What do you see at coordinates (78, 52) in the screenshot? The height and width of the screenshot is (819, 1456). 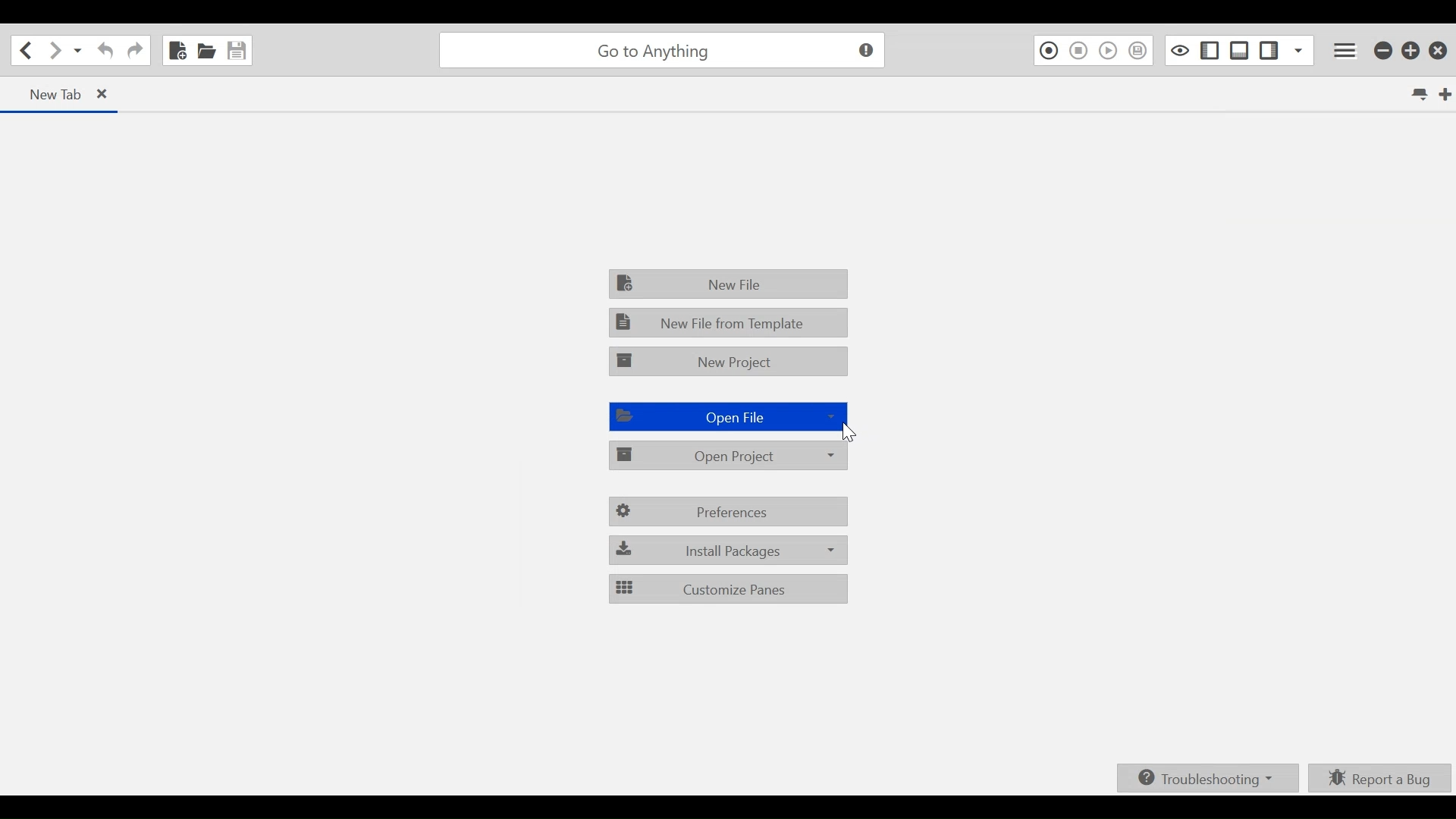 I see `Recent locations` at bounding box center [78, 52].